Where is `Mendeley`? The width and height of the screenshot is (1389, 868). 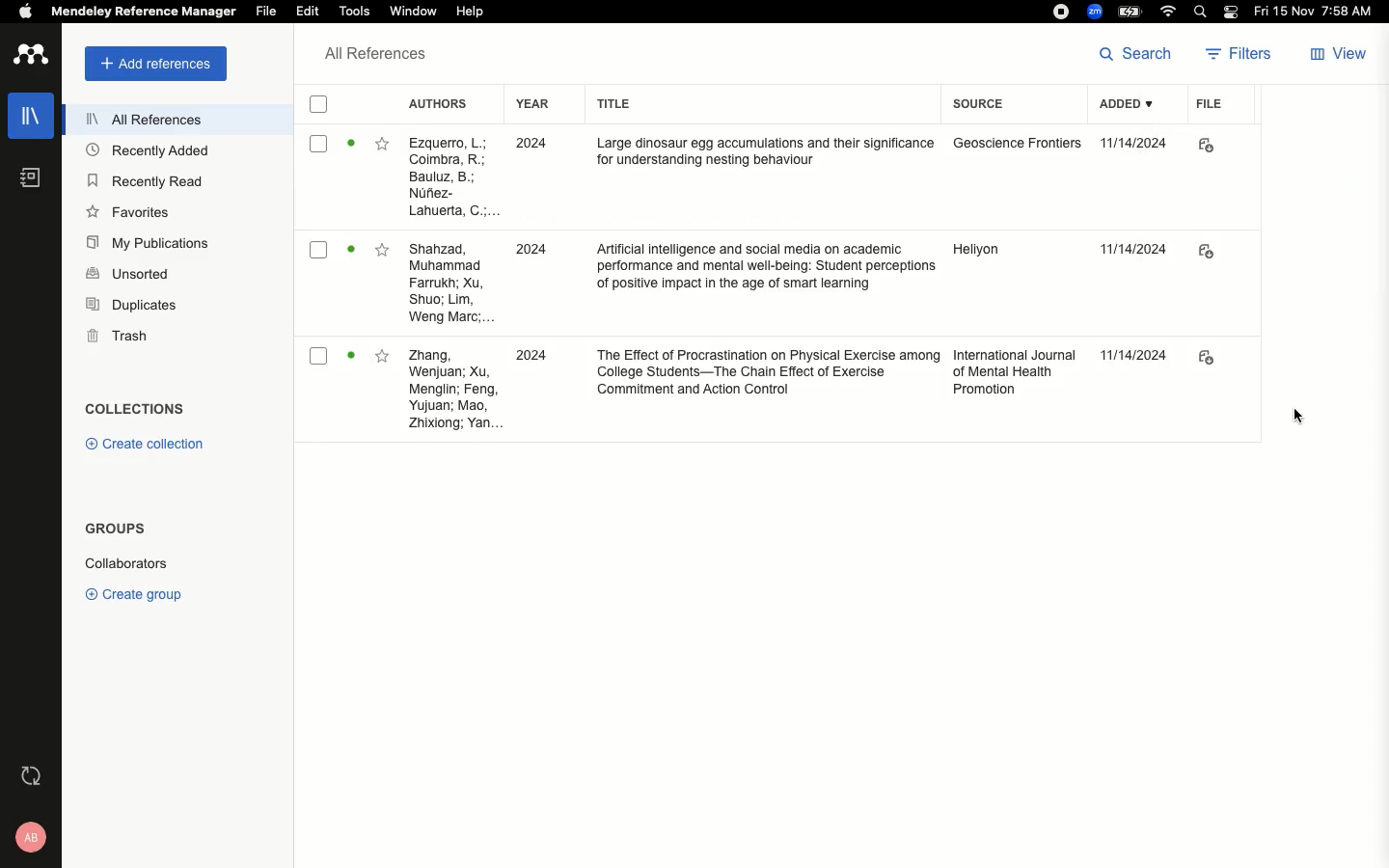 Mendeley is located at coordinates (142, 14).